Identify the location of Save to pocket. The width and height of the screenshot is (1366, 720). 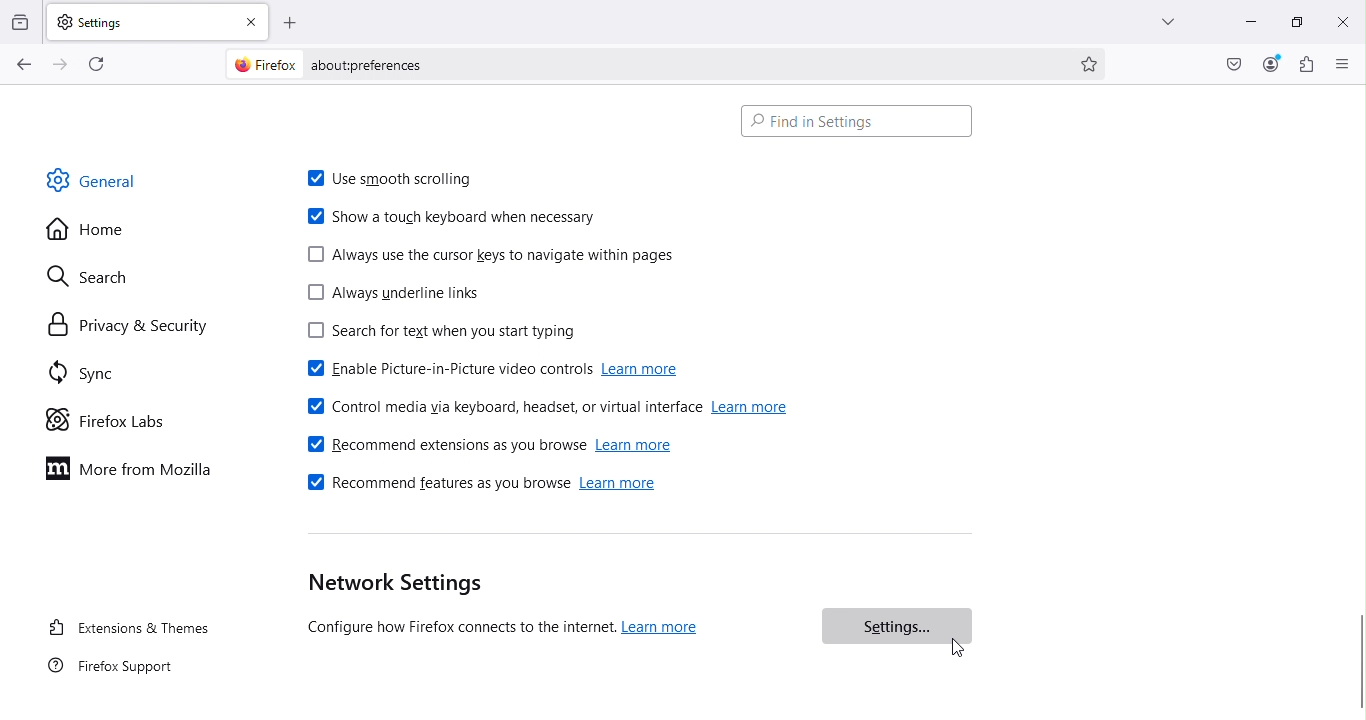
(1228, 63).